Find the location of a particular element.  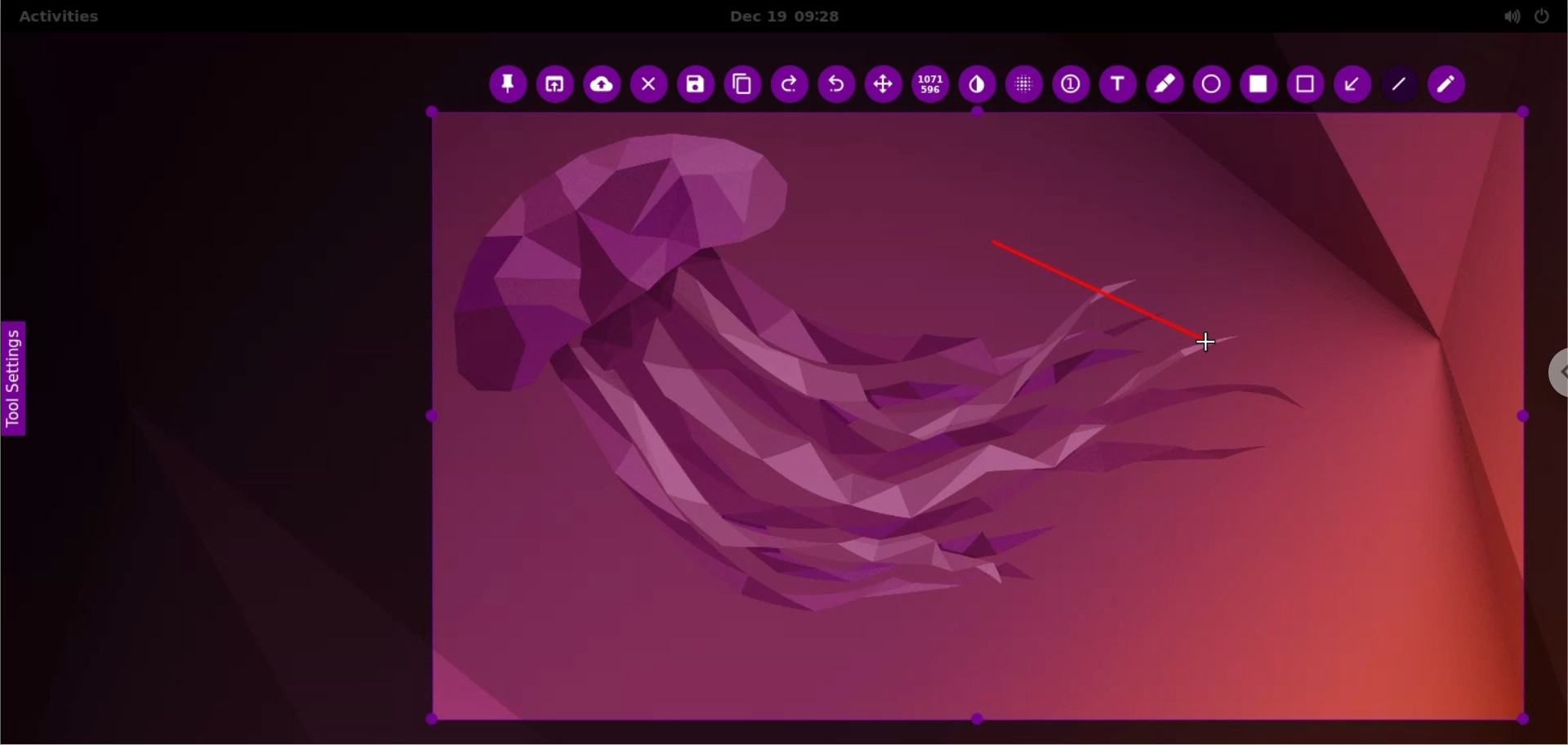

ellipse is located at coordinates (1212, 85).